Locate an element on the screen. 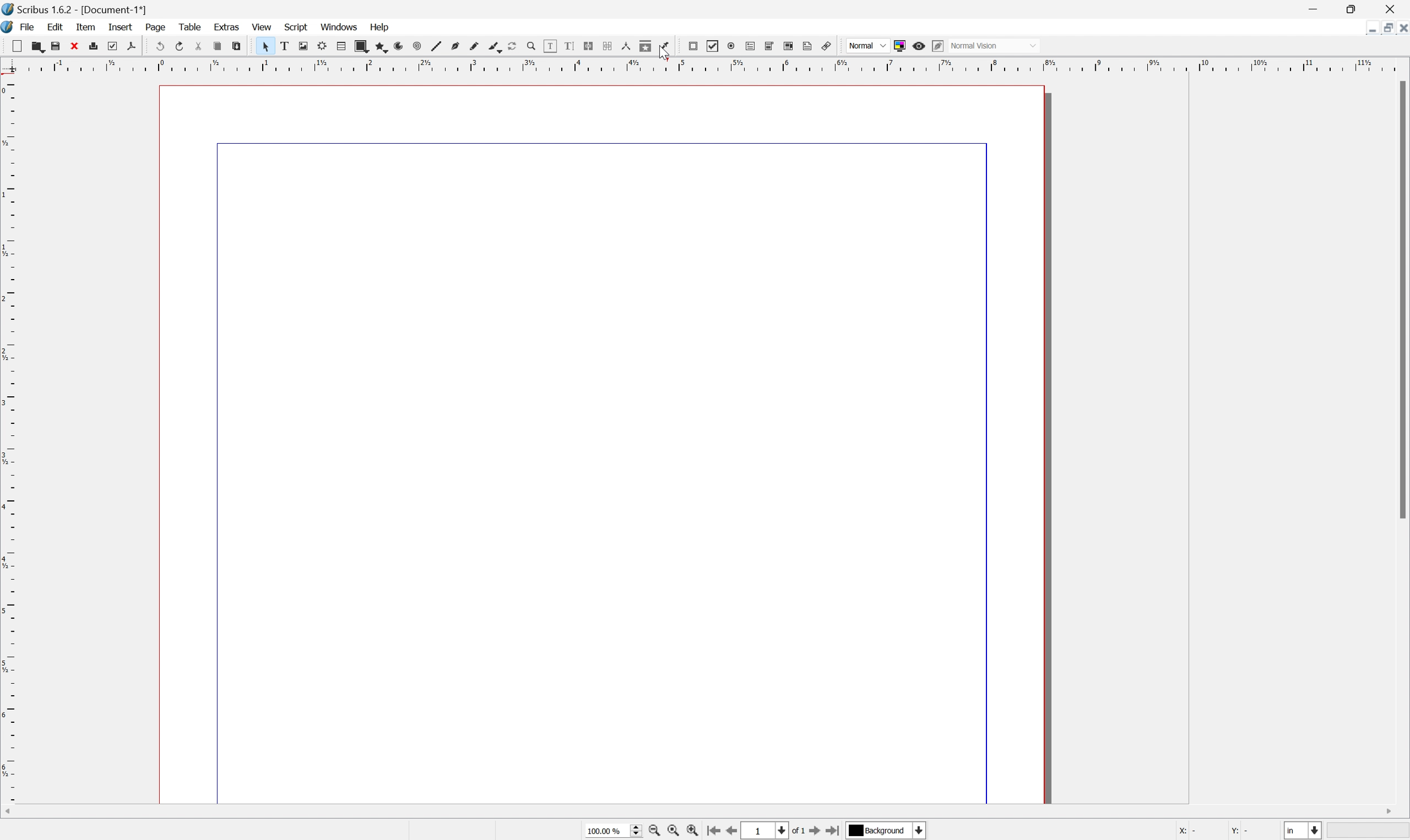  Scroll Bar is located at coordinates (1401, 299).